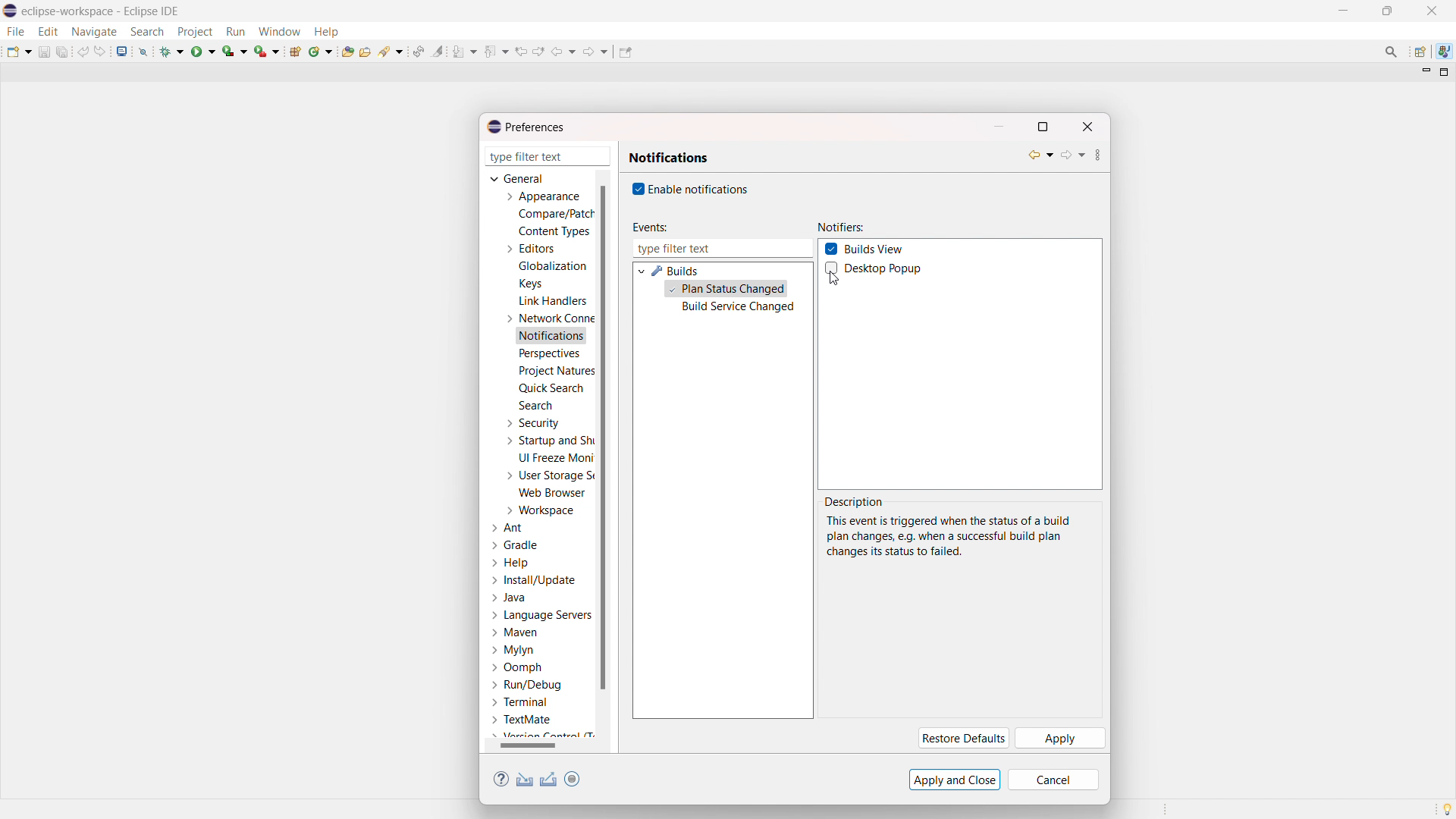 This screenshot has height=819, width=1456. I want to click on perspectives, so click(548, 354).